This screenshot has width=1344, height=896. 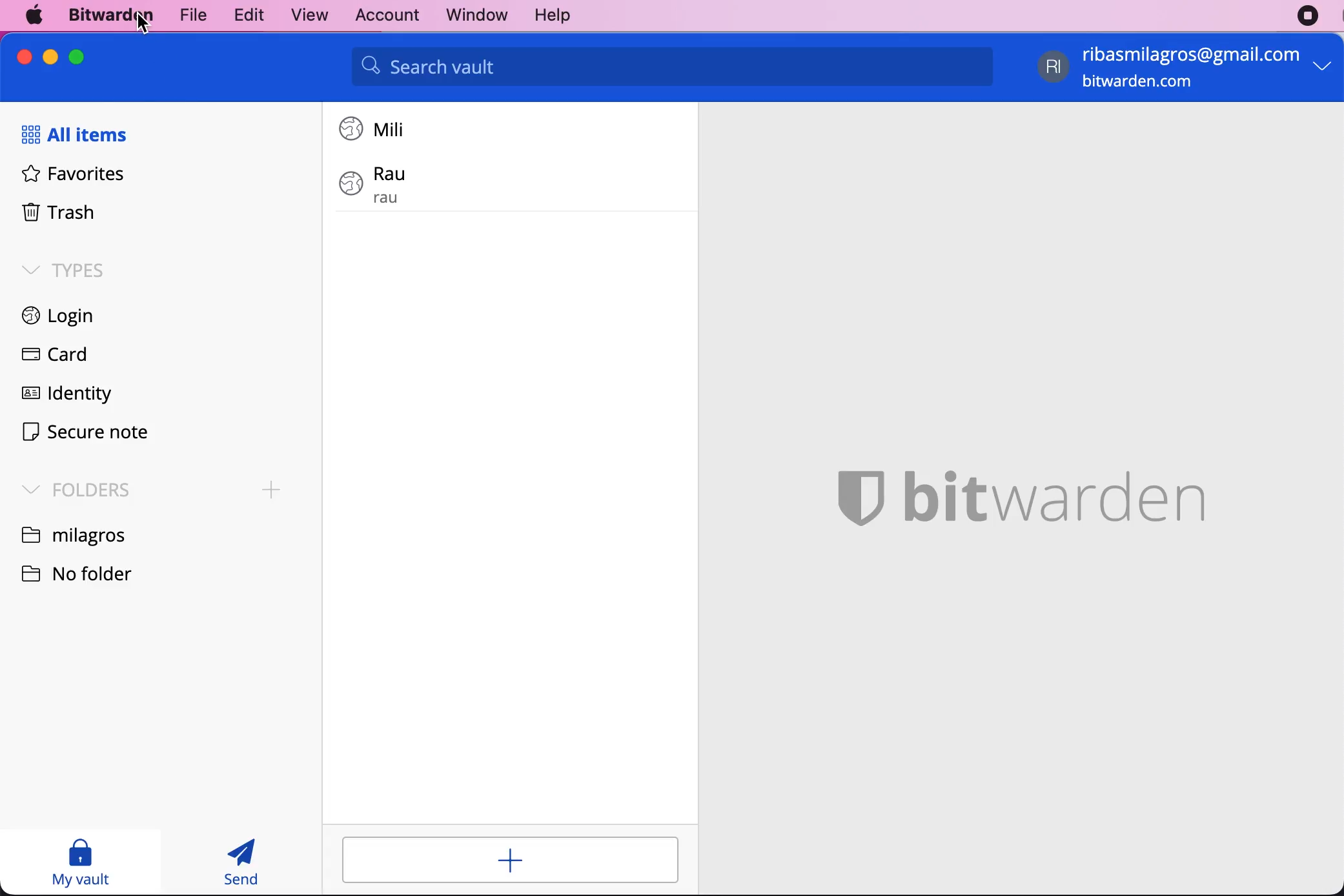 I want to click on favorites, so click(x=67, y=178).